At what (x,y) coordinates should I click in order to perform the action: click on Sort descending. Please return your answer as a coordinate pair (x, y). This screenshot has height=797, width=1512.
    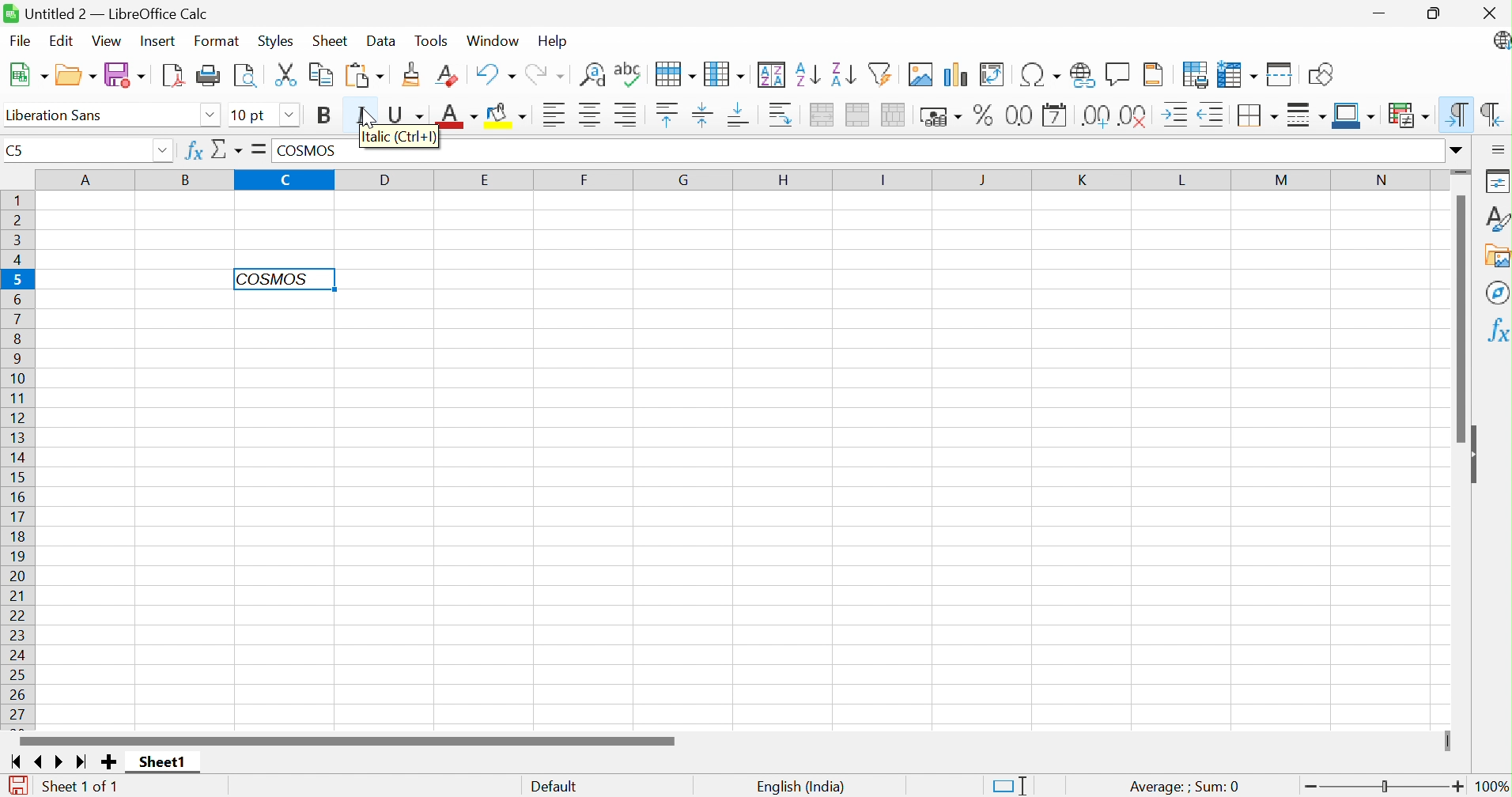
    Looking at the image, I should click on (843, 74).